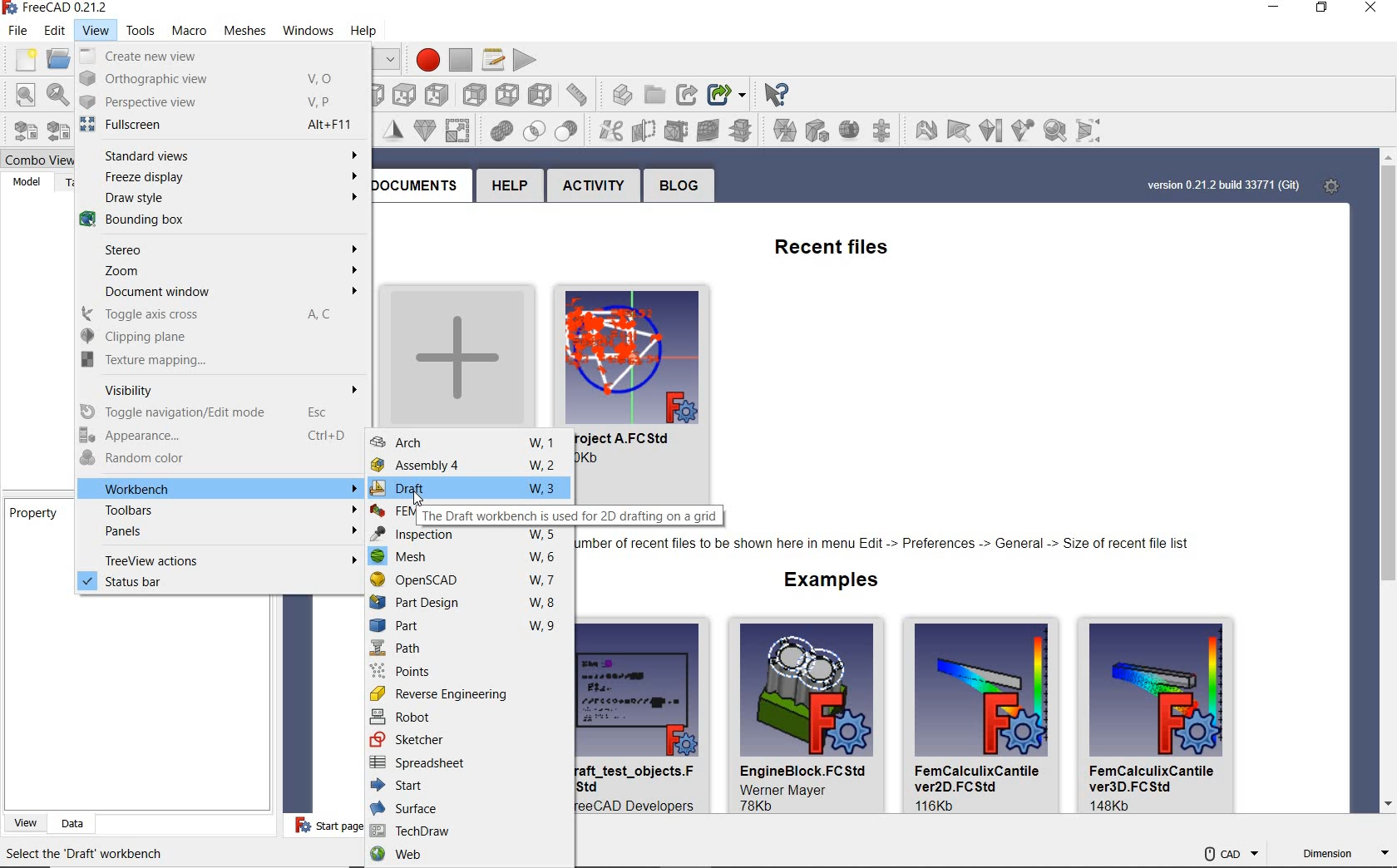 This screenshot has width=1397, height=868. I want to click on the draft workbench is used for D drafting on a bench, so click(570, 515).